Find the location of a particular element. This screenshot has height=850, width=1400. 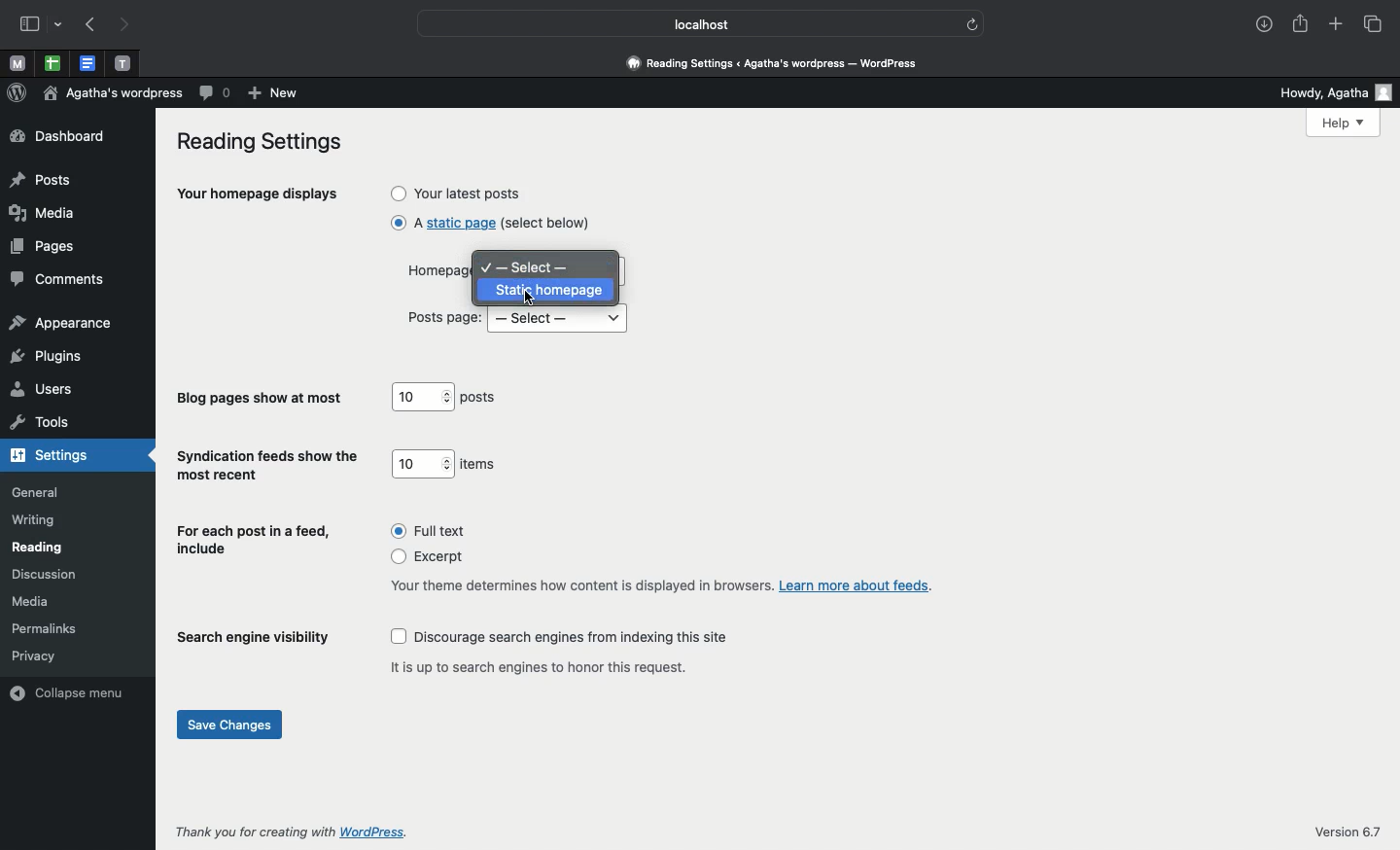

Your theme determines how content is displayed in browsers is located at coordinates (660, 585).